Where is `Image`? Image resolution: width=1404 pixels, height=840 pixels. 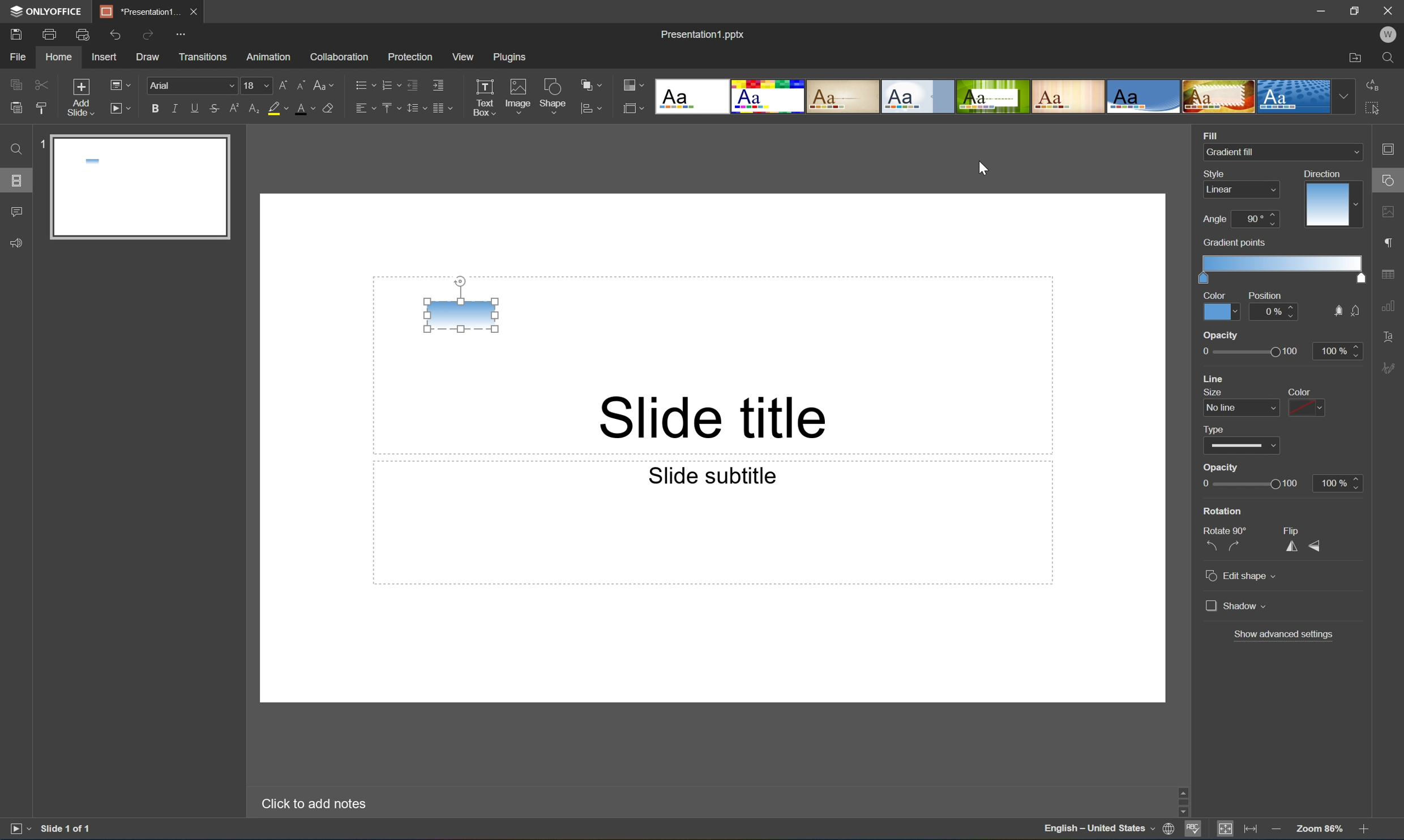 Image is located at coordinates (519, 98).